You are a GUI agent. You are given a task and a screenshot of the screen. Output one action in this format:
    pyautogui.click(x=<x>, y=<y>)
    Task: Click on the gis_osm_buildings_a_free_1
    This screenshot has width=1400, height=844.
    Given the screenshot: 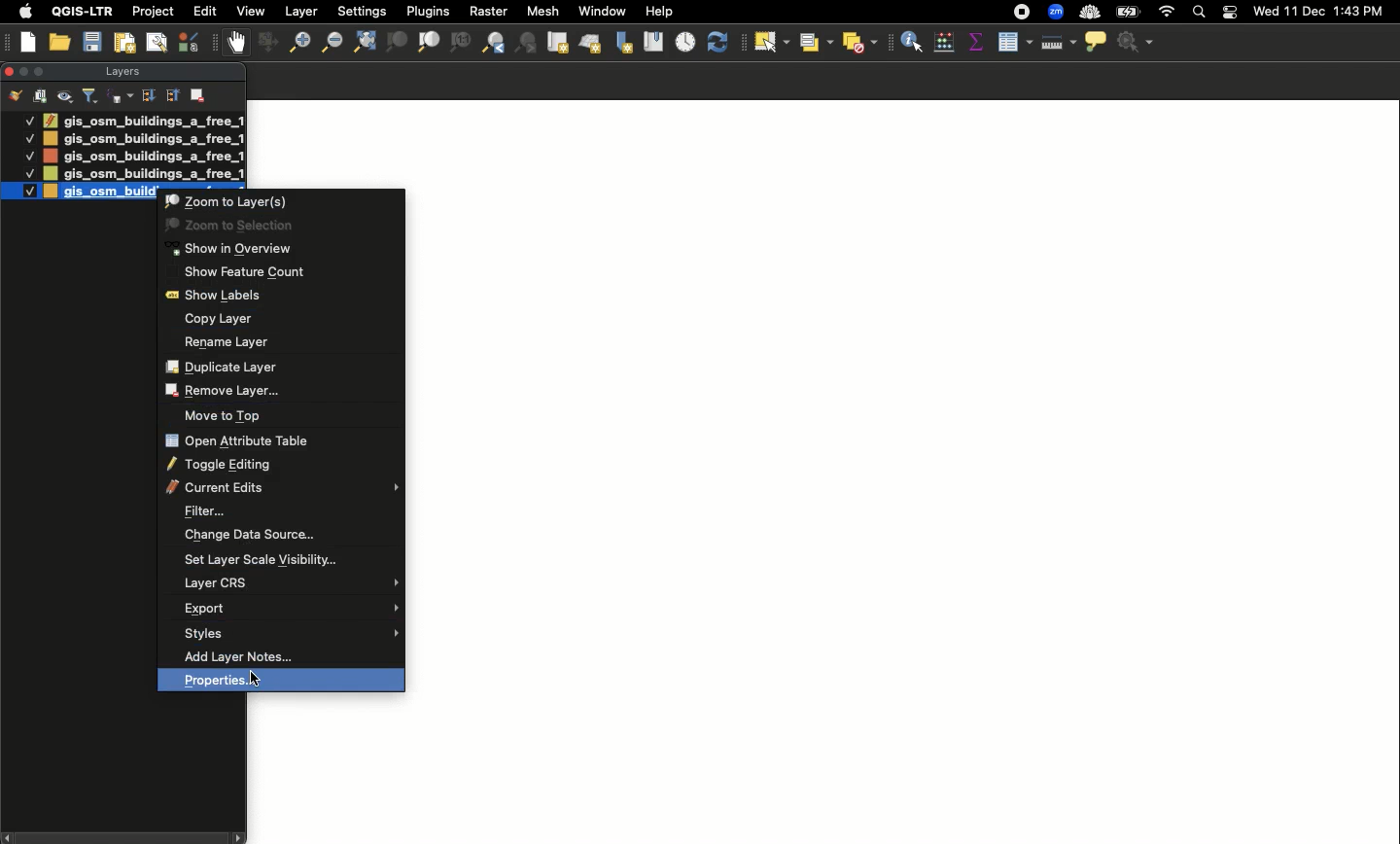 What is the action you would take?
    pyautogui.click(x=144, y=139)
    